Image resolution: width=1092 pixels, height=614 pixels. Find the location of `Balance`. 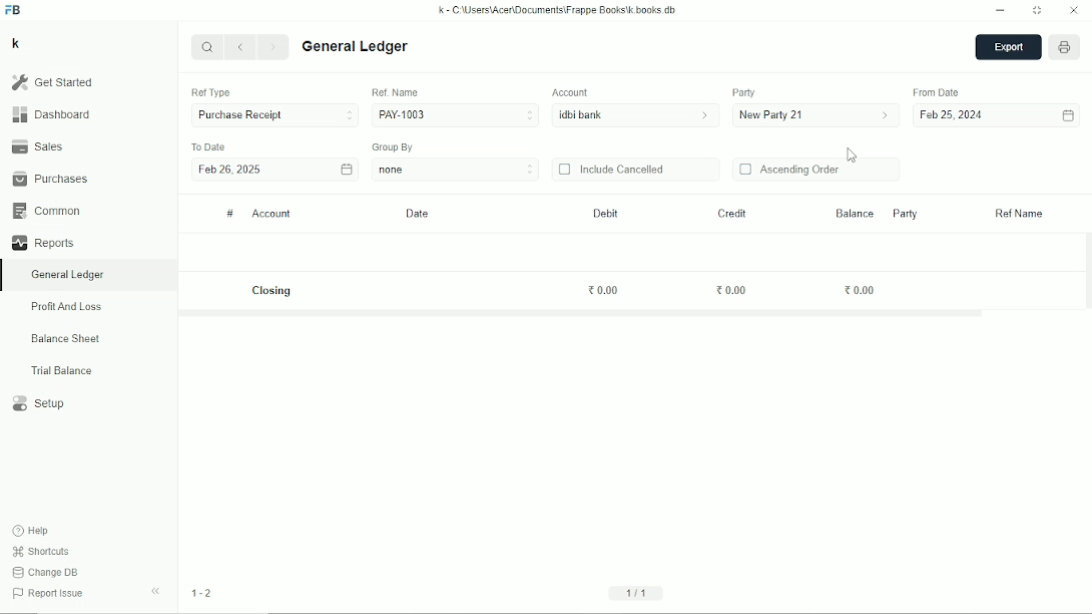

Balance is located at coordinates (854, 212).